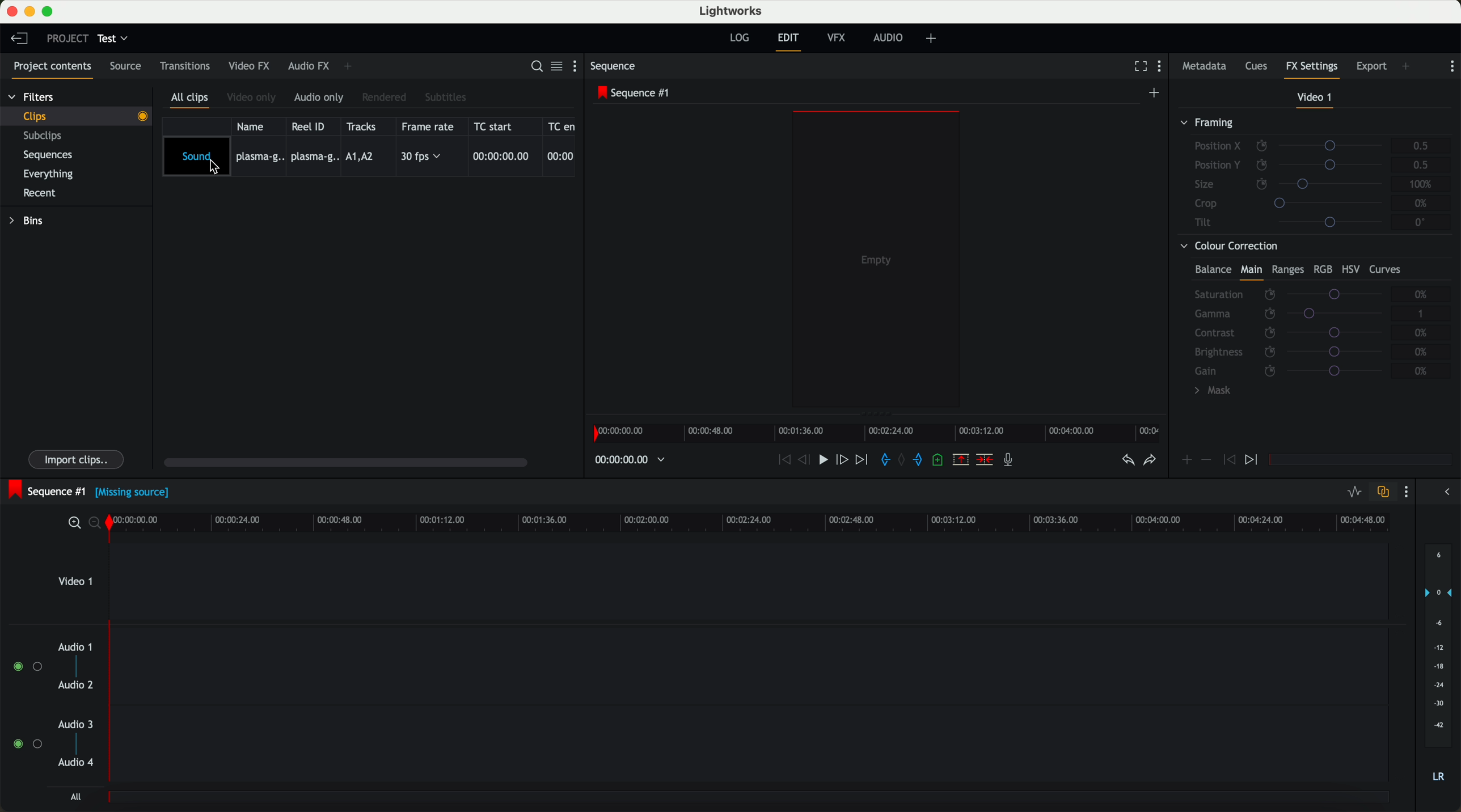 The image size is (1461, 812). I want to click on tracks, so click(364, 126).